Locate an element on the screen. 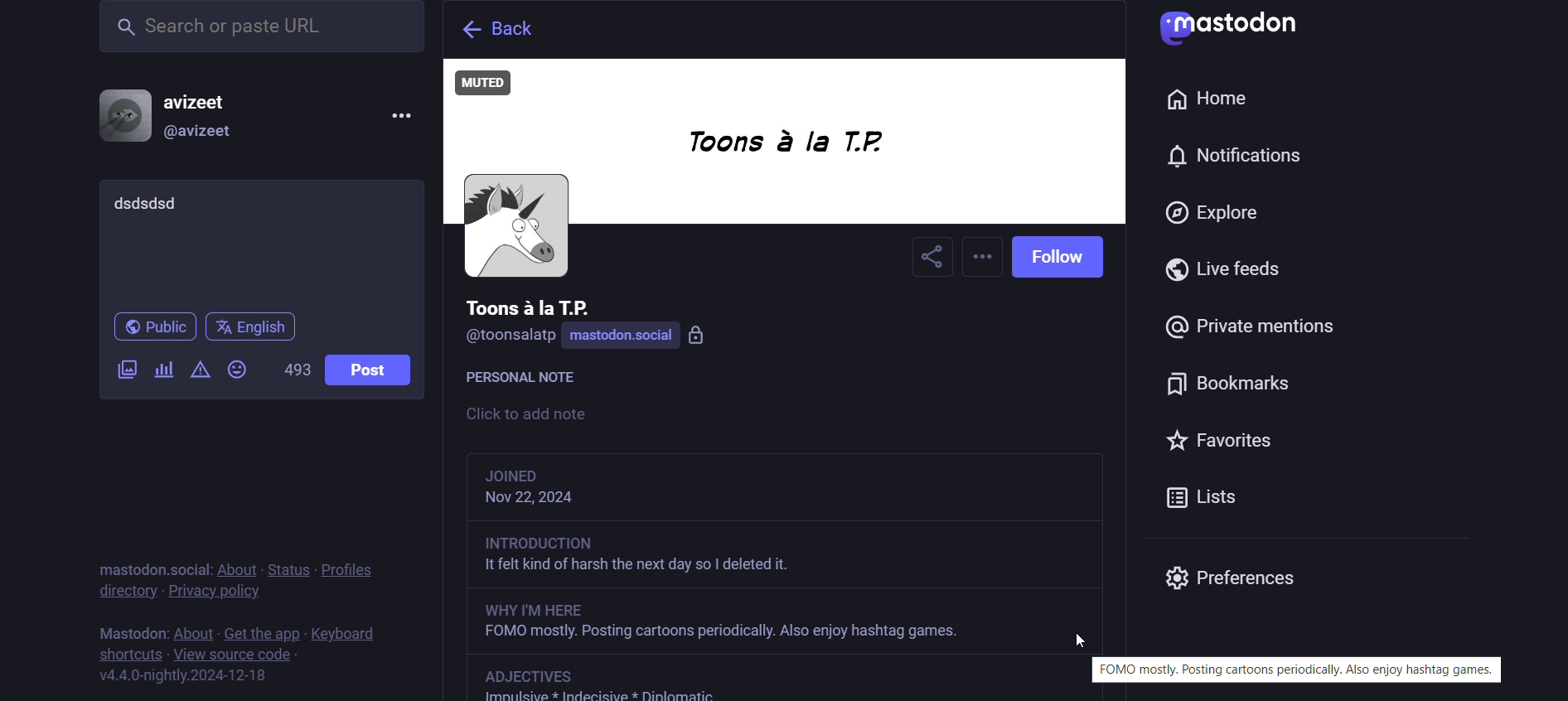 This screenshot has height=701, width=1568. whats on your mind is located at coordinates (259, 242).